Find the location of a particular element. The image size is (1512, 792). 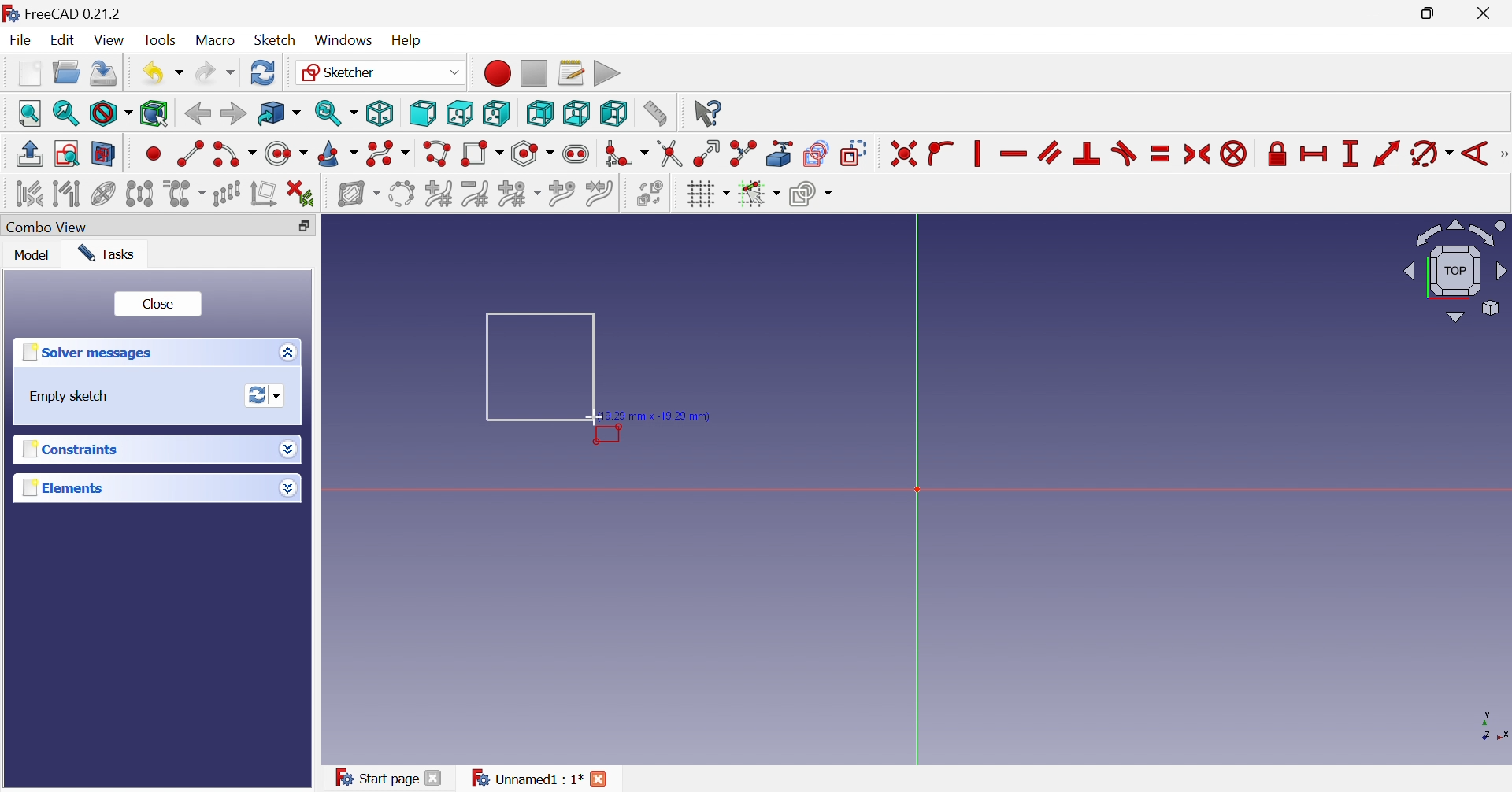

Solver messages is located at coordinates (85, 353).